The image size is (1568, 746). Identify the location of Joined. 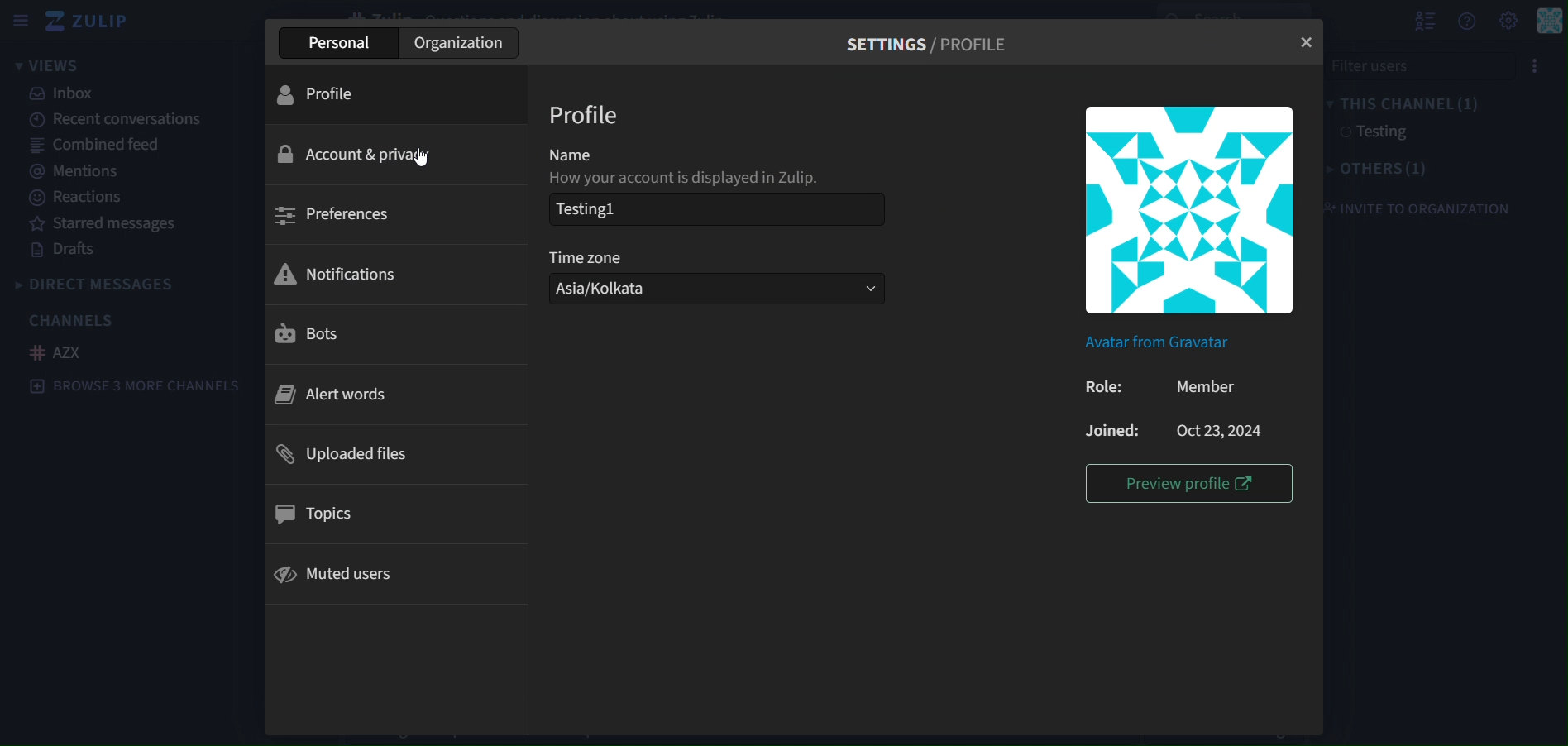
(1102, 433).